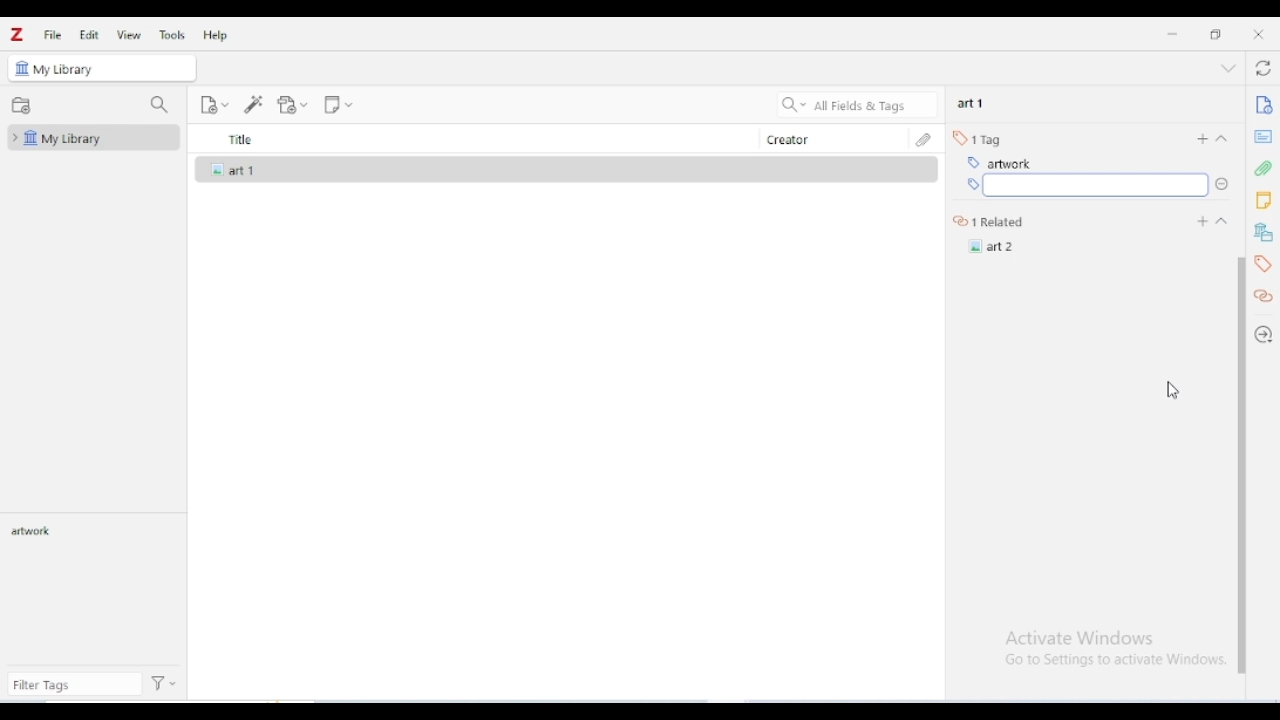 The image size is (1280, 720). What do you see at coordinates (94, 137) in the screenshot?
I see `my library` at bounding box center [94, 137].